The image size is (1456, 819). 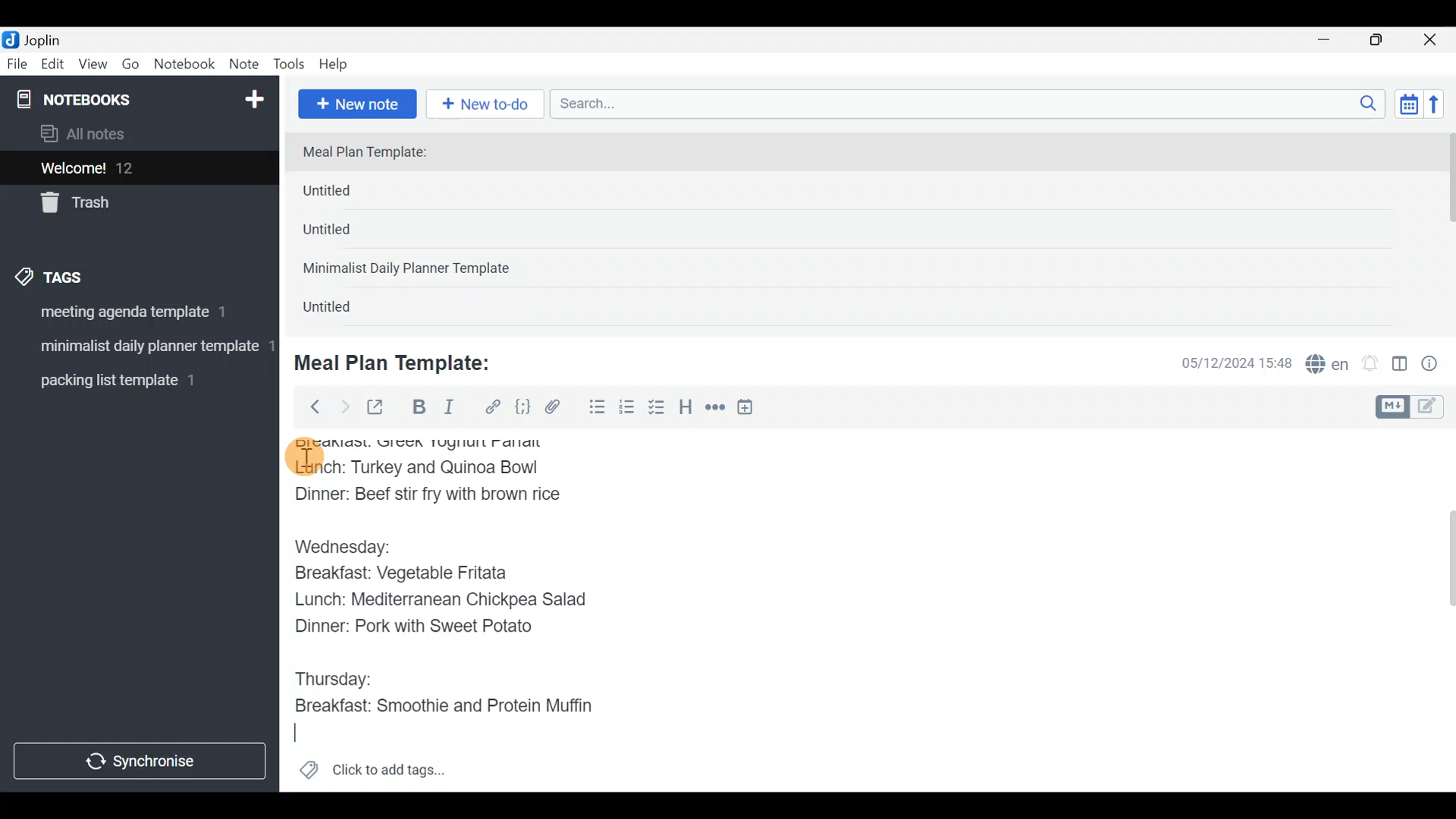 I want to click on Search bar, so click(x=971, y=102).